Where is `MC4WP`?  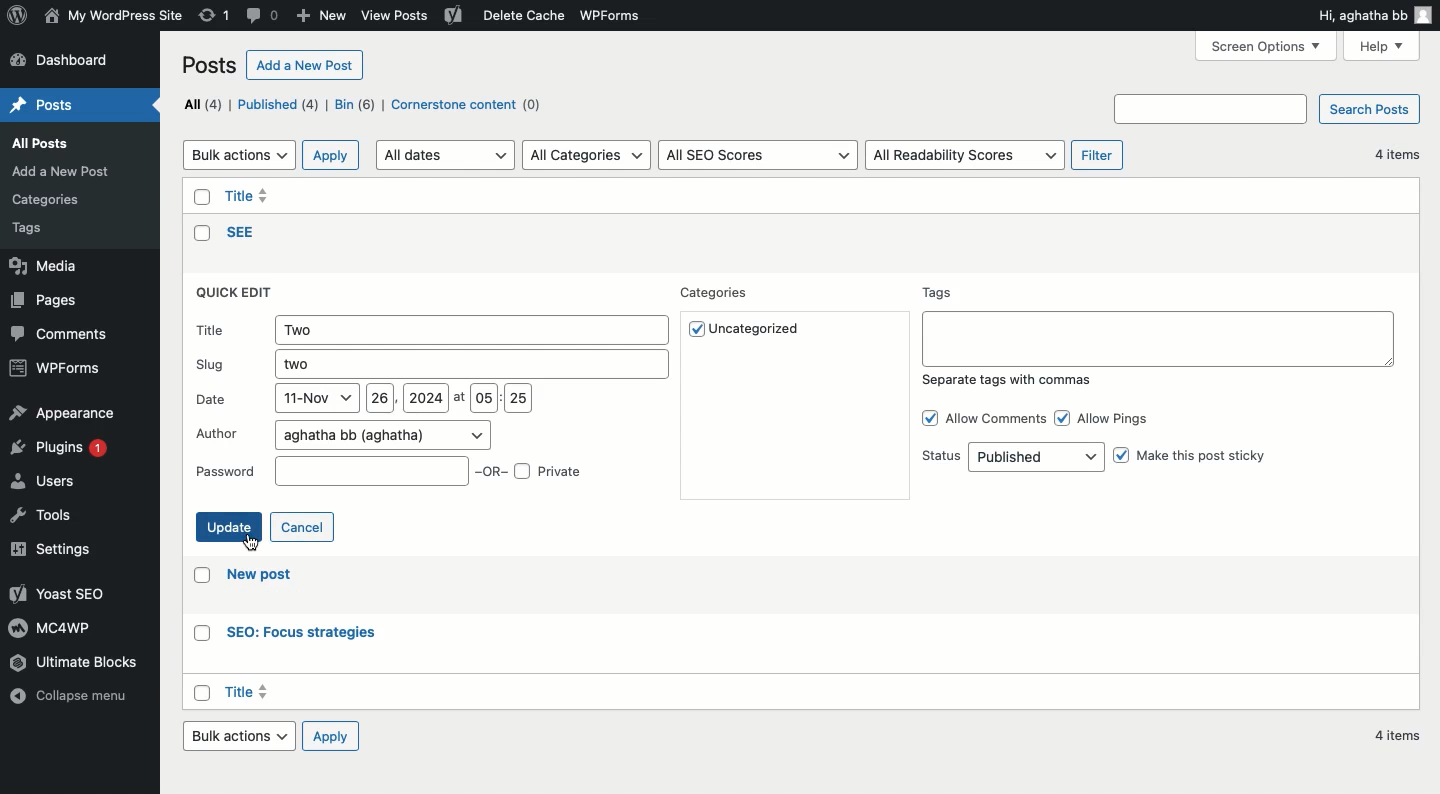 MC4WP is located at coordinates (48, 627).